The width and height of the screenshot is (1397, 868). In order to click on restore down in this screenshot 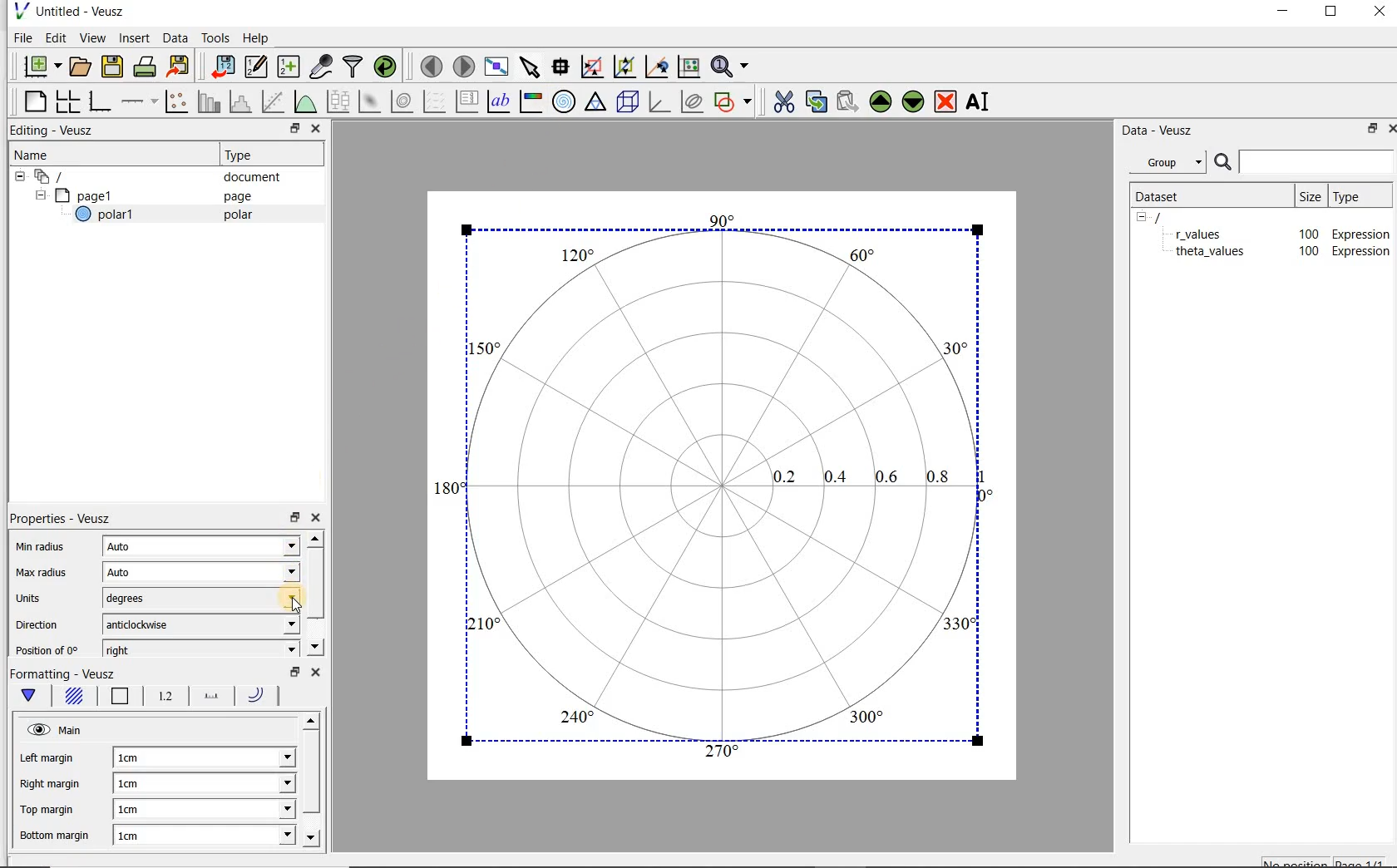, I will do `click(1368, 131)`.